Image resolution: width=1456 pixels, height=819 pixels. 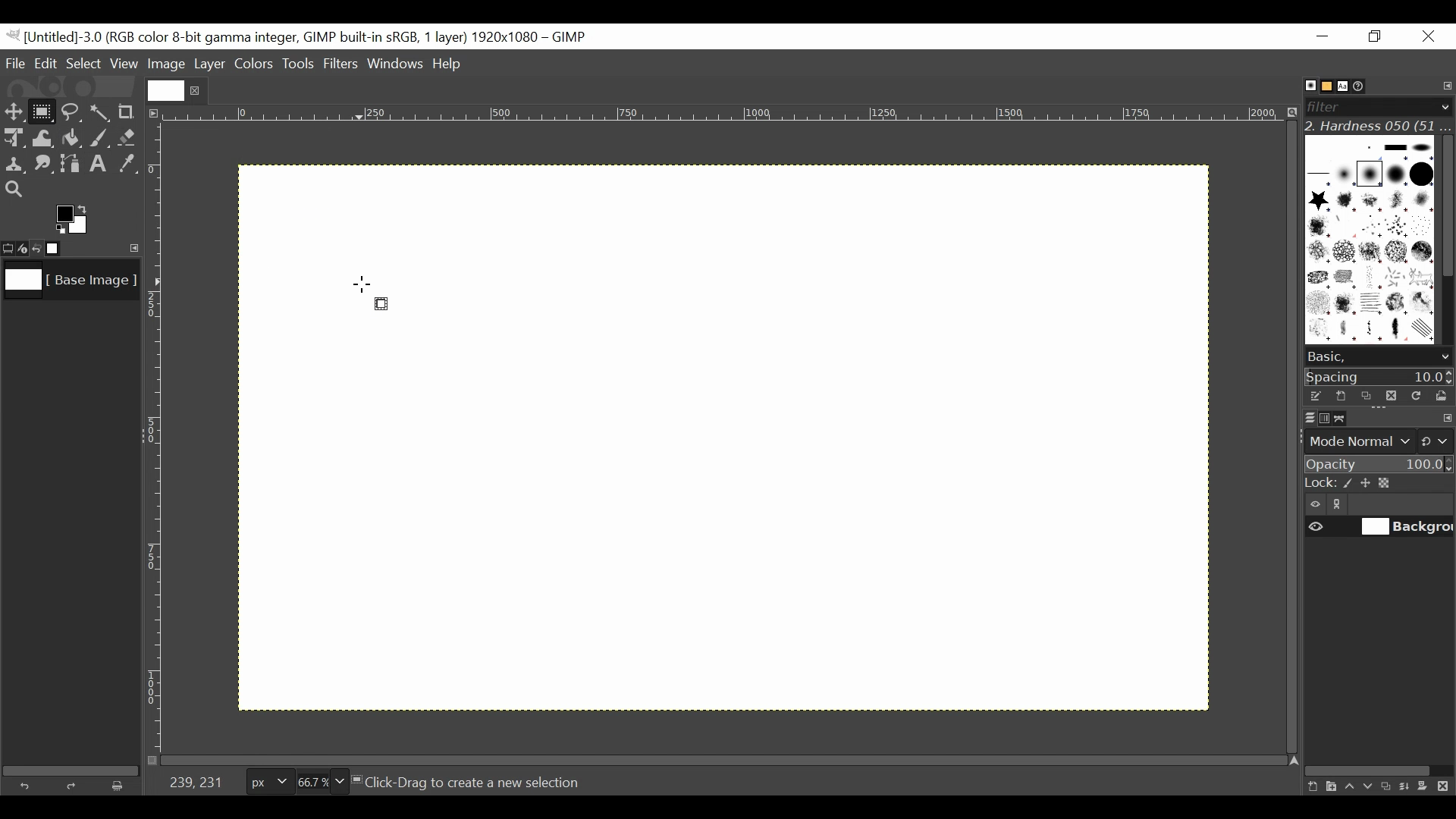 I want to click on Duplicate brush, so click(x=1366, y=396).